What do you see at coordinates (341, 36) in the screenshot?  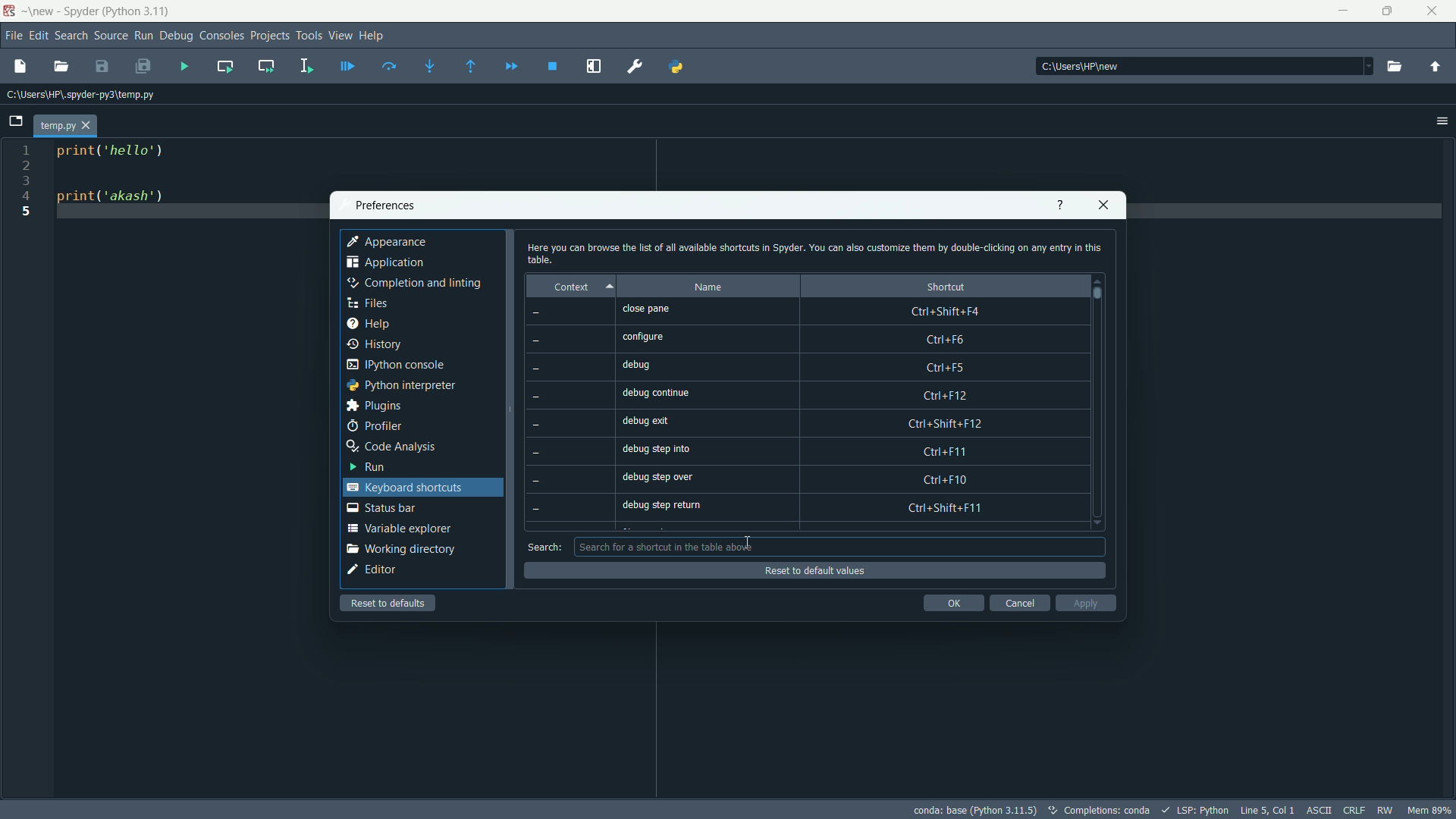 I see `view menu` at bounding box center [341, 36].